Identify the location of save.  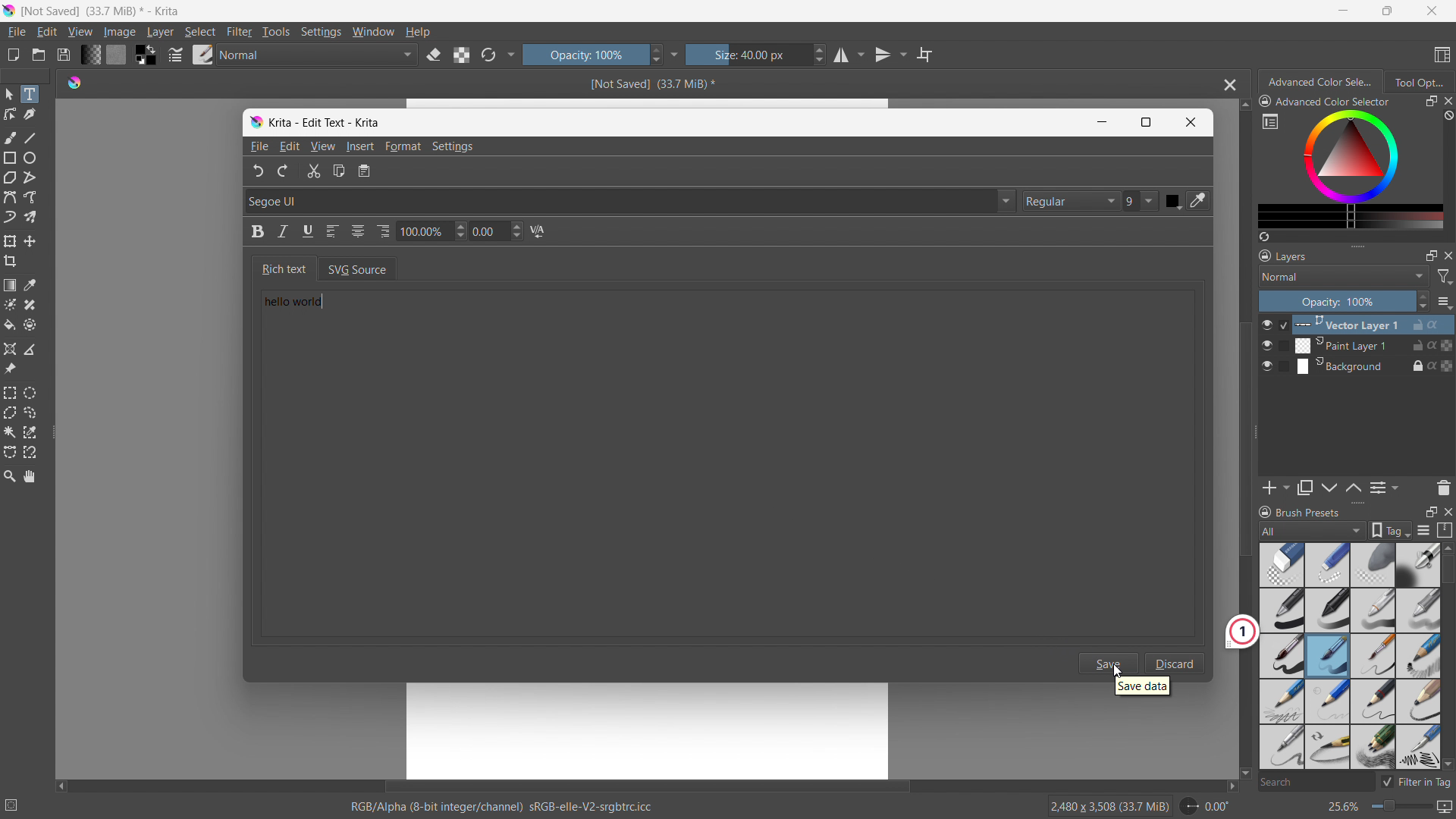
(63, 55).